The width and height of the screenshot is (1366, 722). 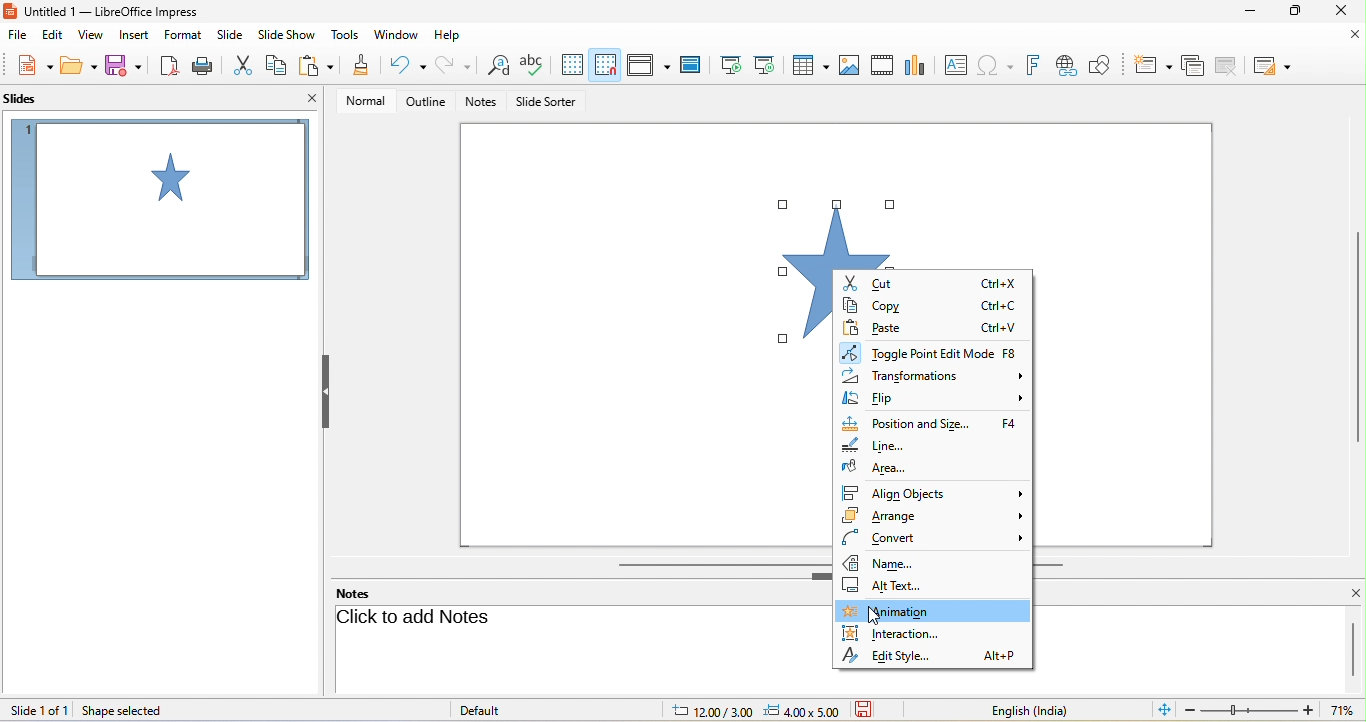 What do you see at coordinates (32, 98) in the screenshot?
I see `slides` at bounding box center [32, 98].